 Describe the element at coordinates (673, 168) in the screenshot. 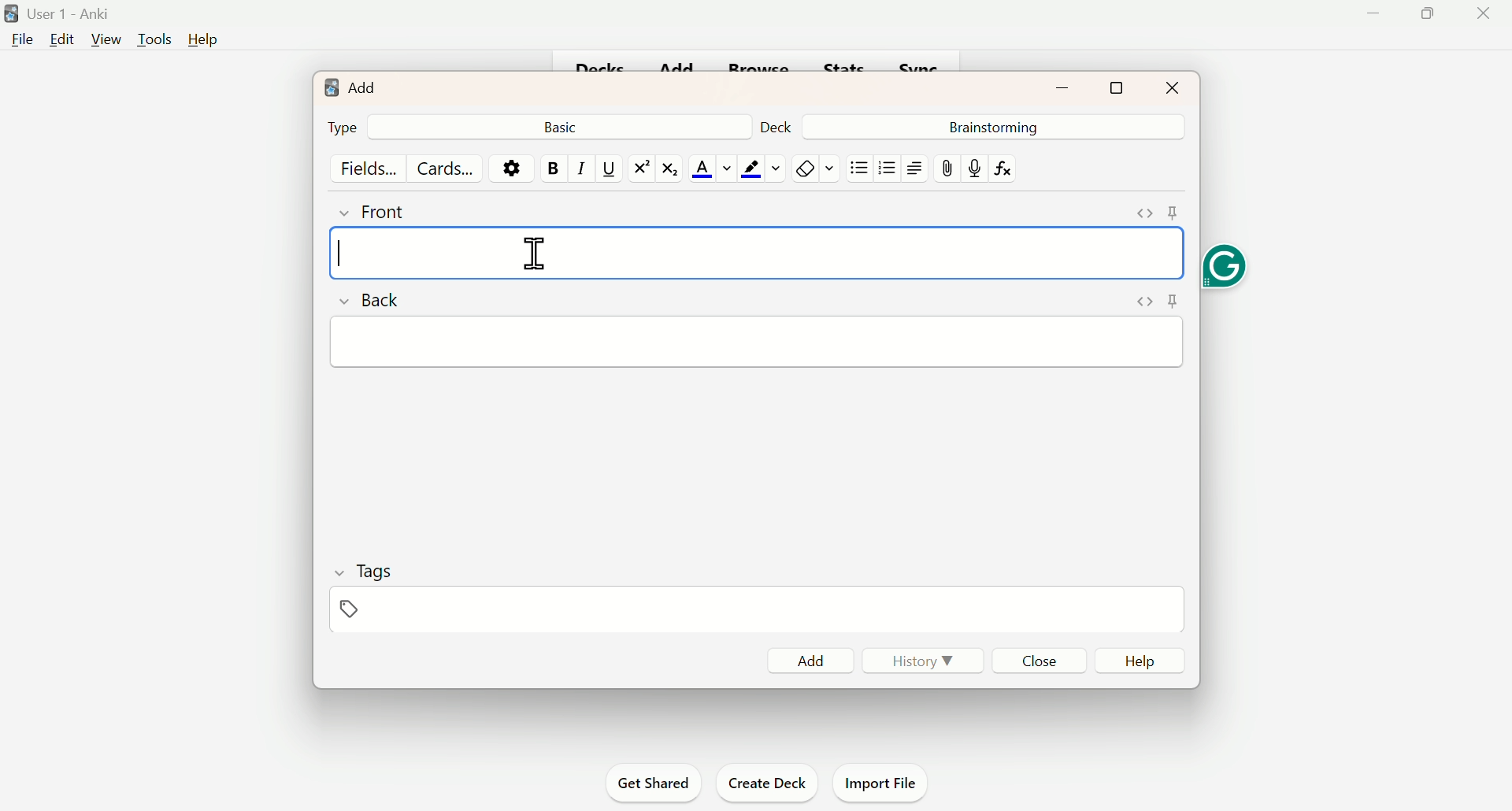

I see `Subscript` at that location.